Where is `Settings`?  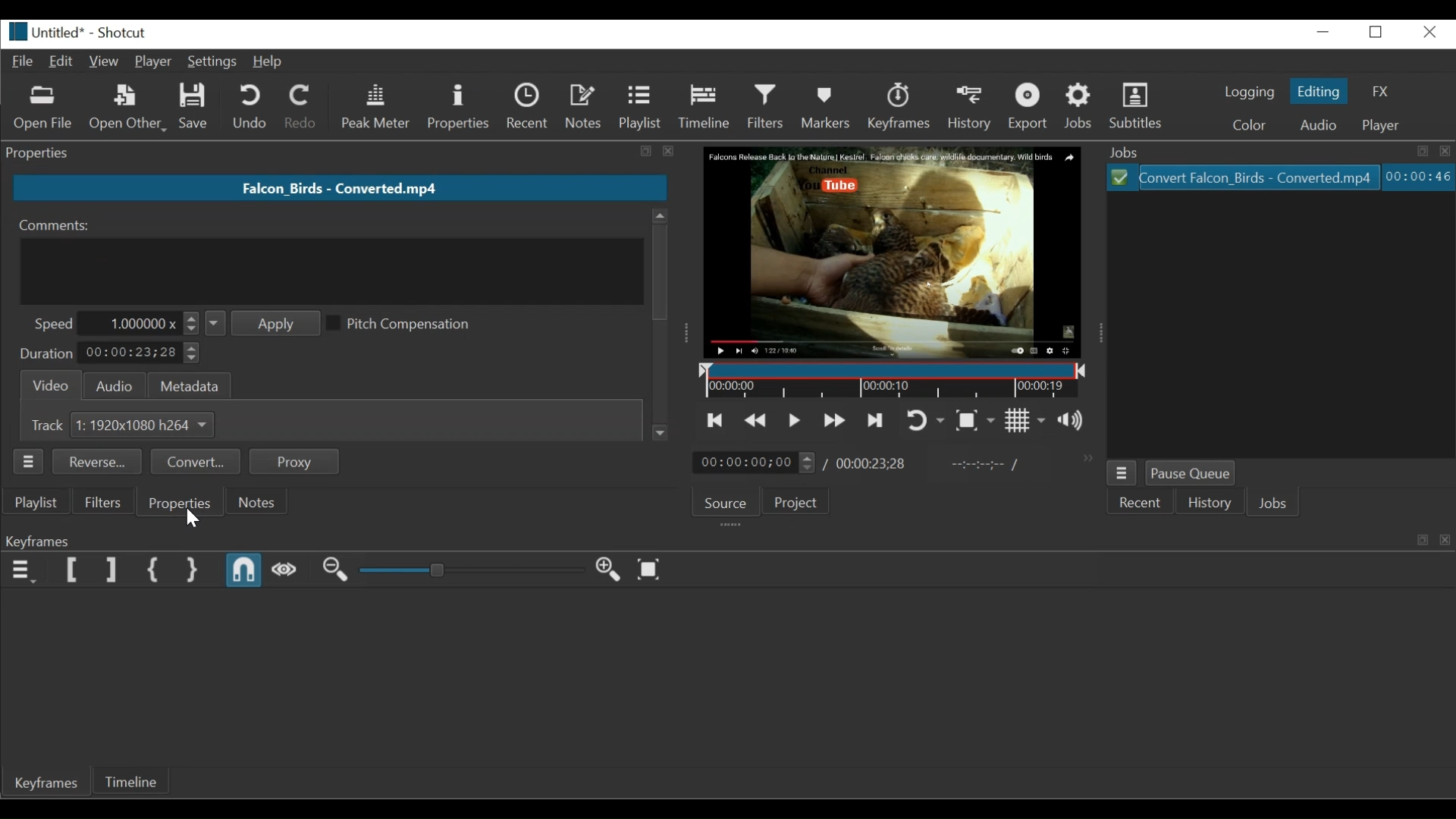 Settings is located at coordinates (212, 61).